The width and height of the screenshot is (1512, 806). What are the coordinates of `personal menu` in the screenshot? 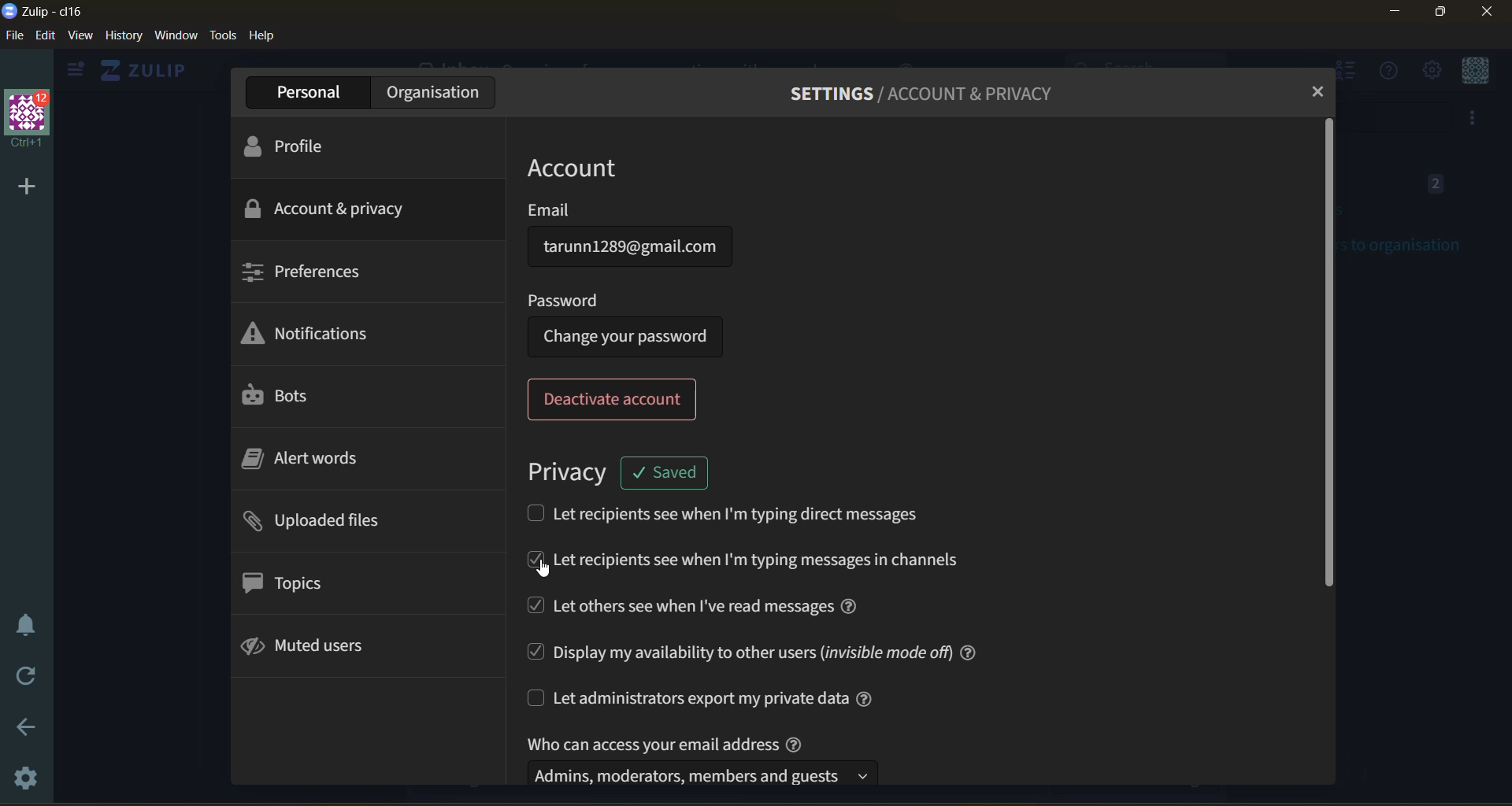 It's located at (1472, 72).